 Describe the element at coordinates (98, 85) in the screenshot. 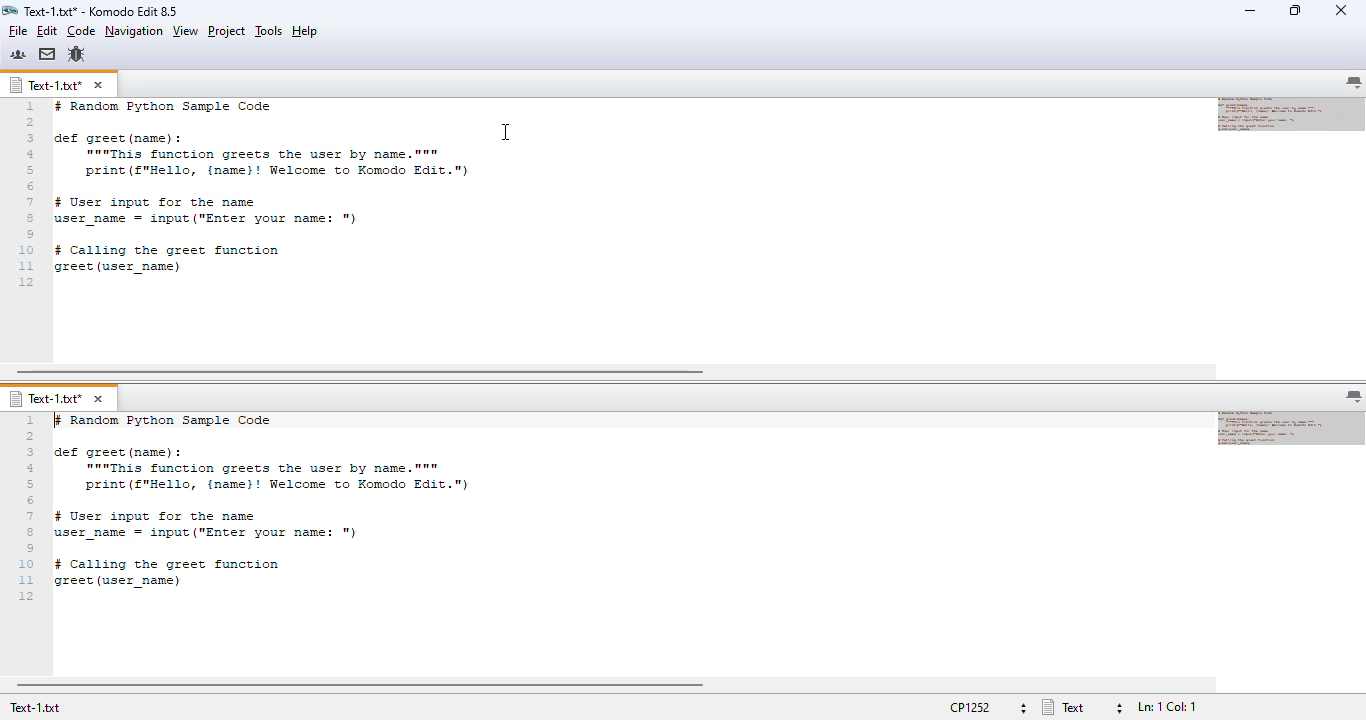

I see `close tab` at that location.